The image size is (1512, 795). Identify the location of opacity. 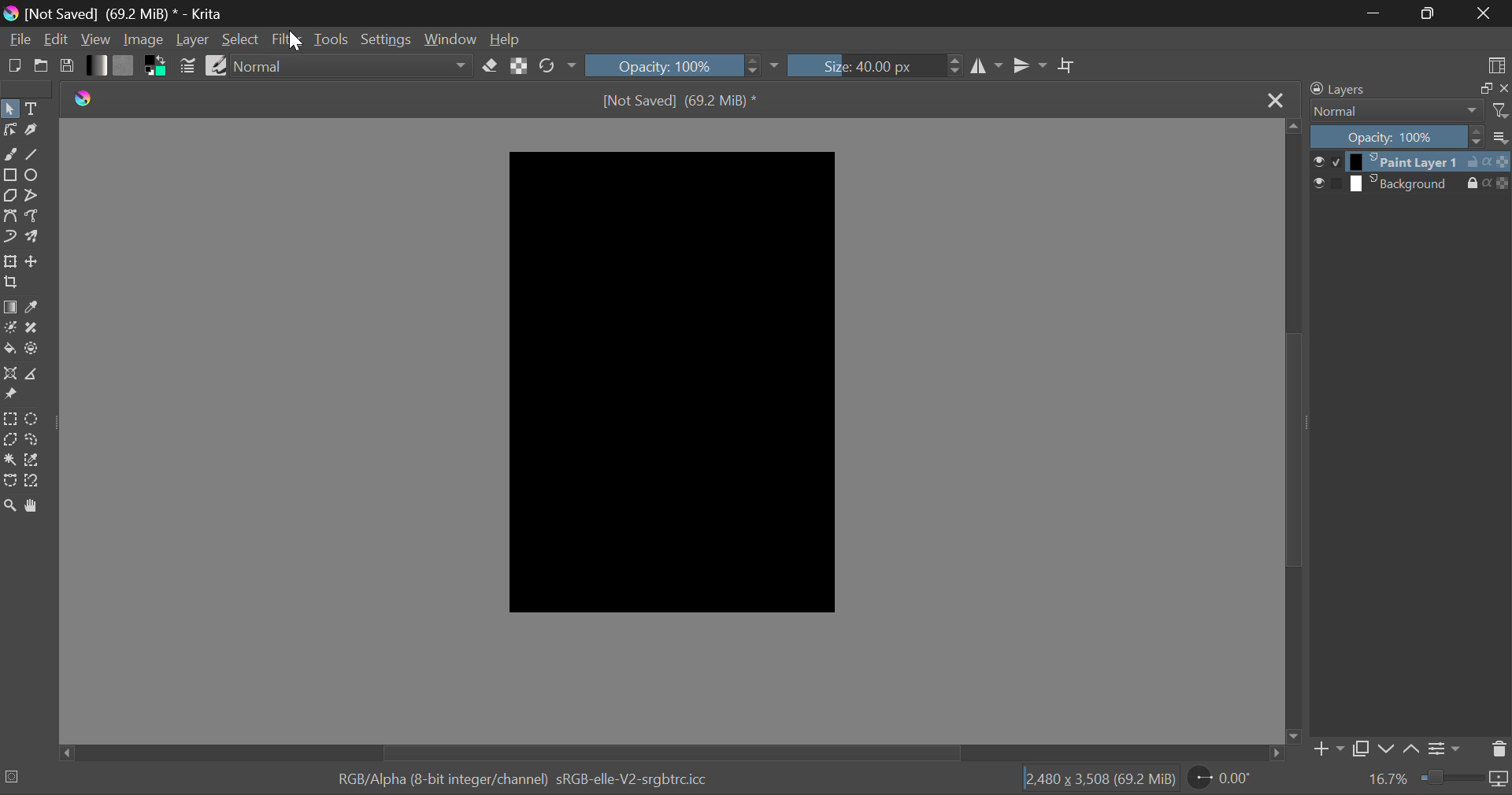
(1499, 182).